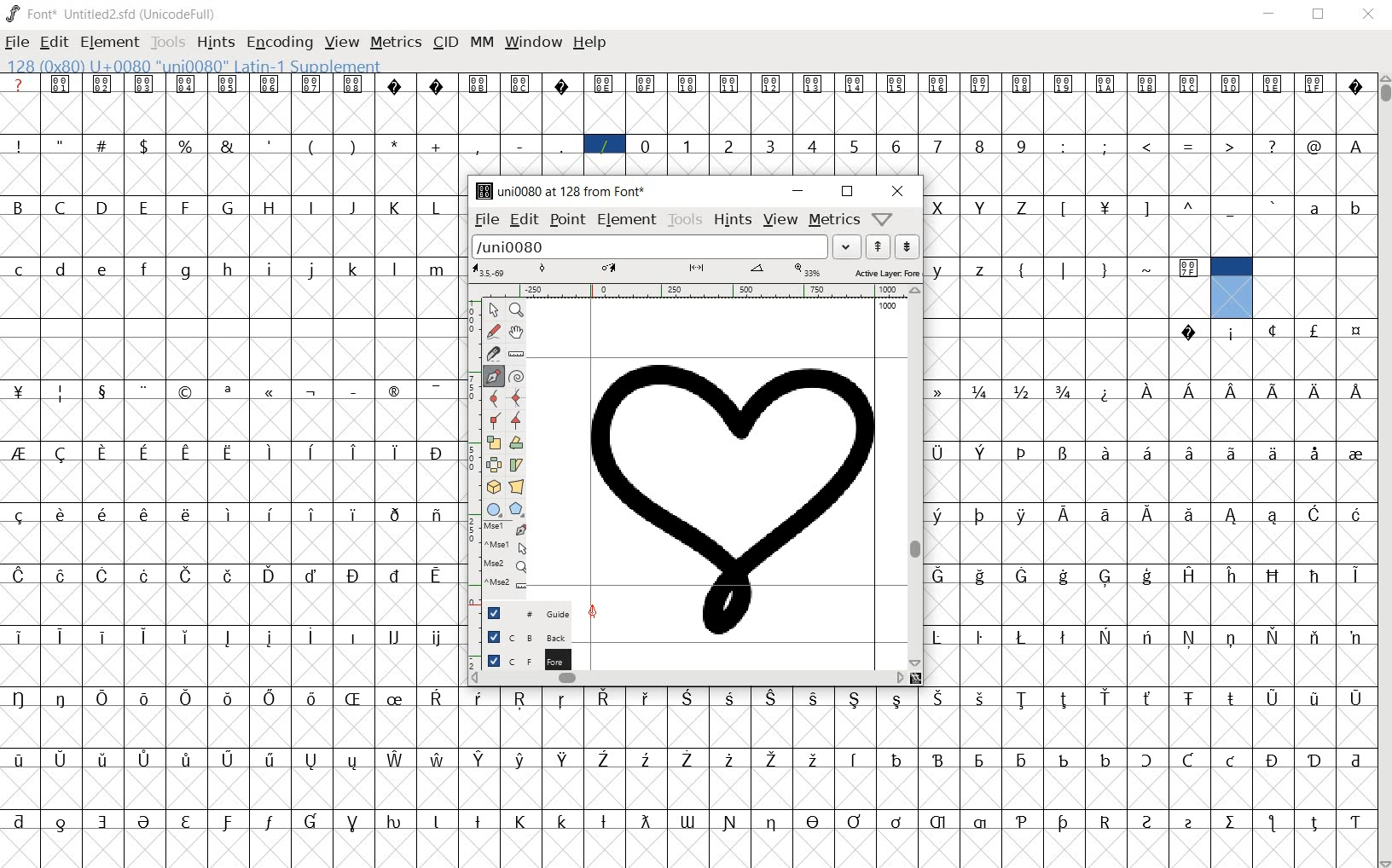 This screenshot has height=868, width=1392. What do you see at coordinates (214, 42) in the screenshot?
I see `HINTS` at bounding box center [214, 42].